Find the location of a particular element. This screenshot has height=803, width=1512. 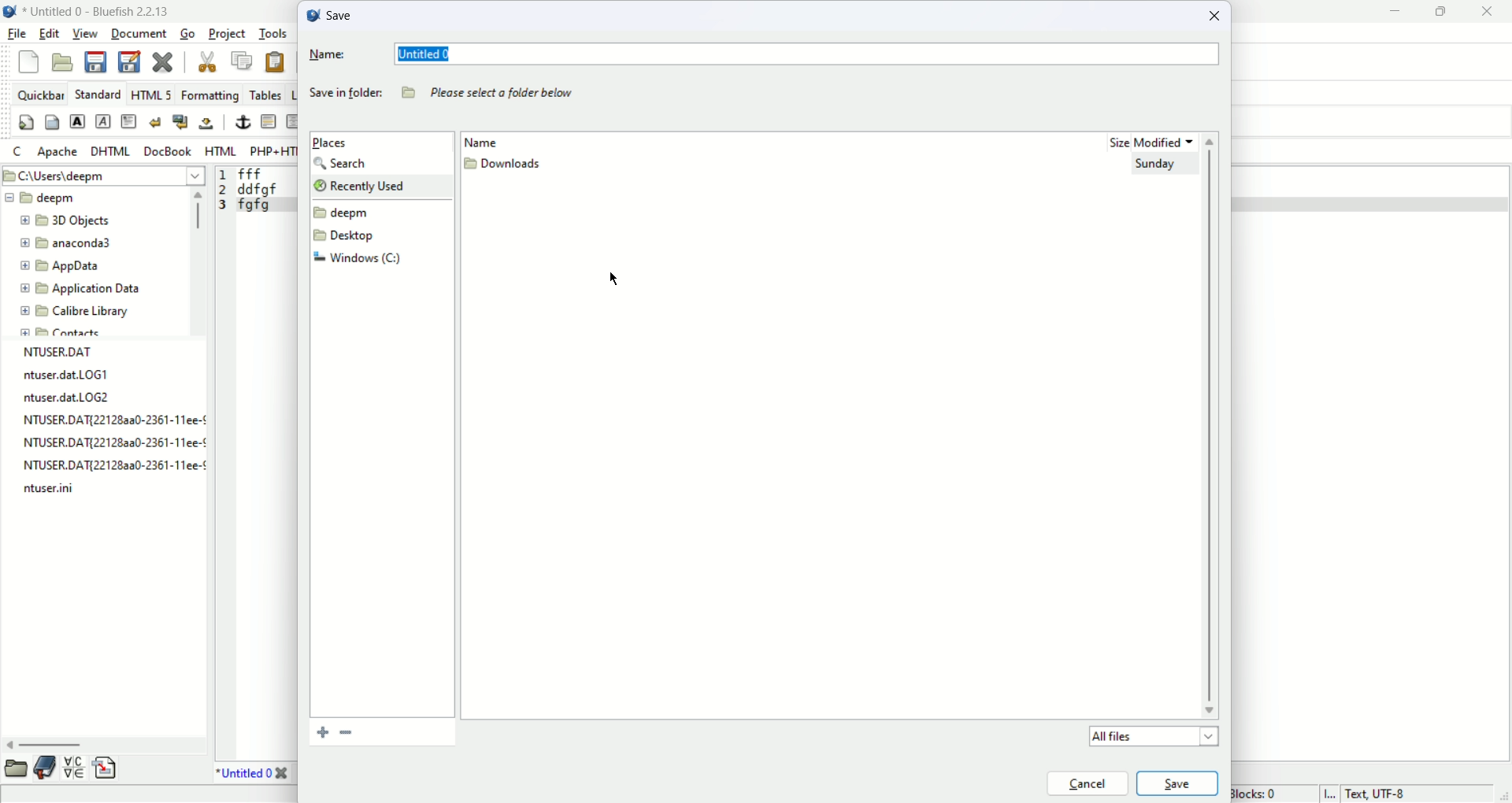

open is located at coordinates (62, 61).